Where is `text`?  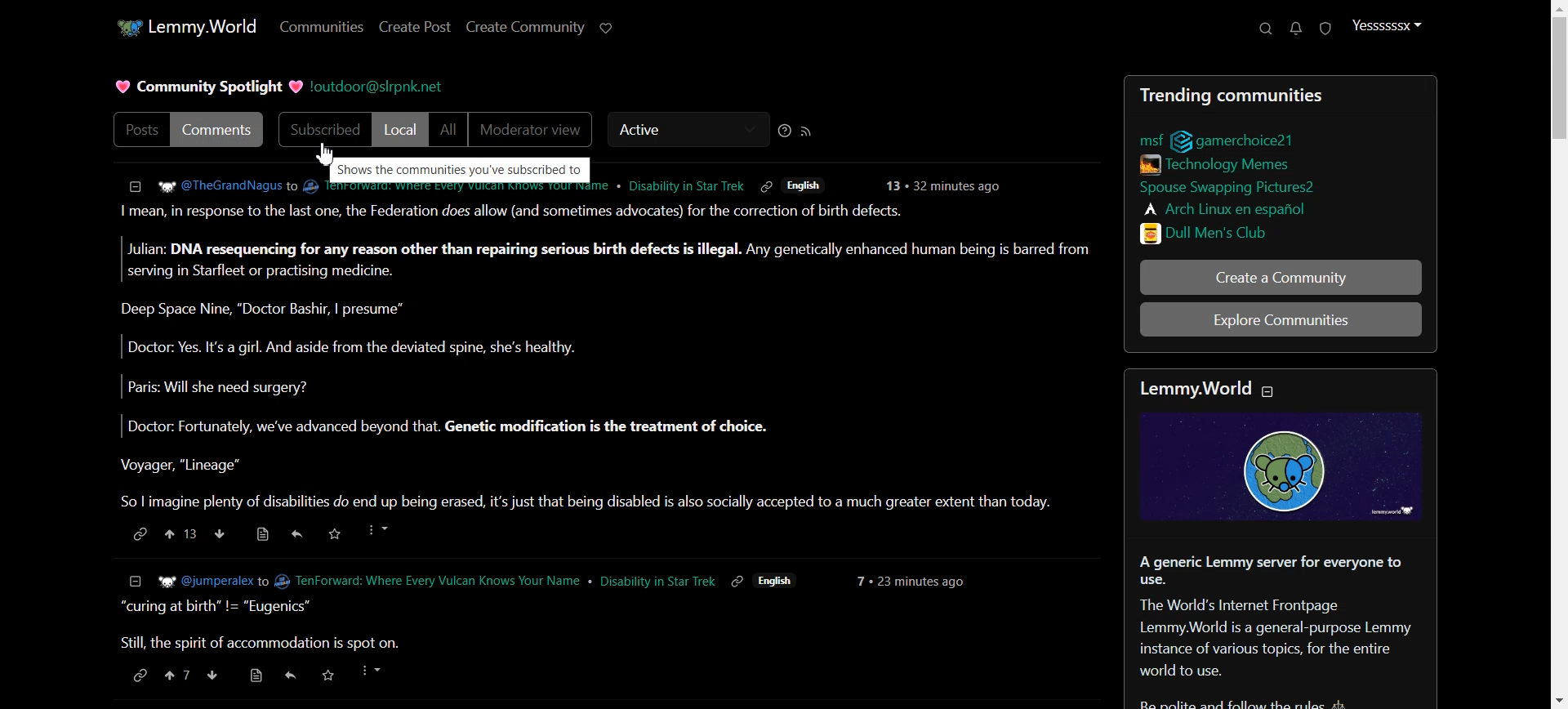
text is located at coordinates (1208, 387).